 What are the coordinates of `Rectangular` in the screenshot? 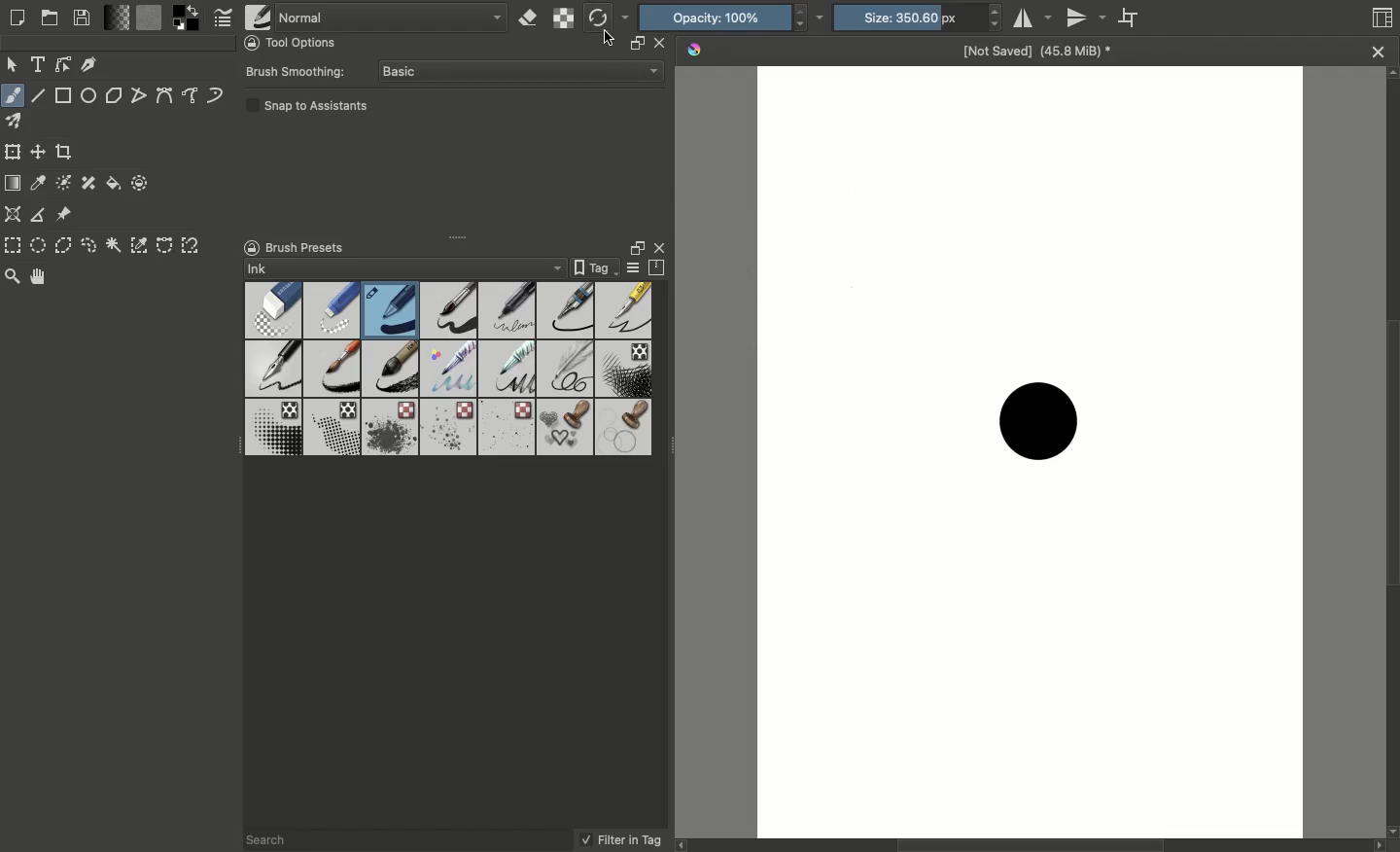 It's located at (64, 95).